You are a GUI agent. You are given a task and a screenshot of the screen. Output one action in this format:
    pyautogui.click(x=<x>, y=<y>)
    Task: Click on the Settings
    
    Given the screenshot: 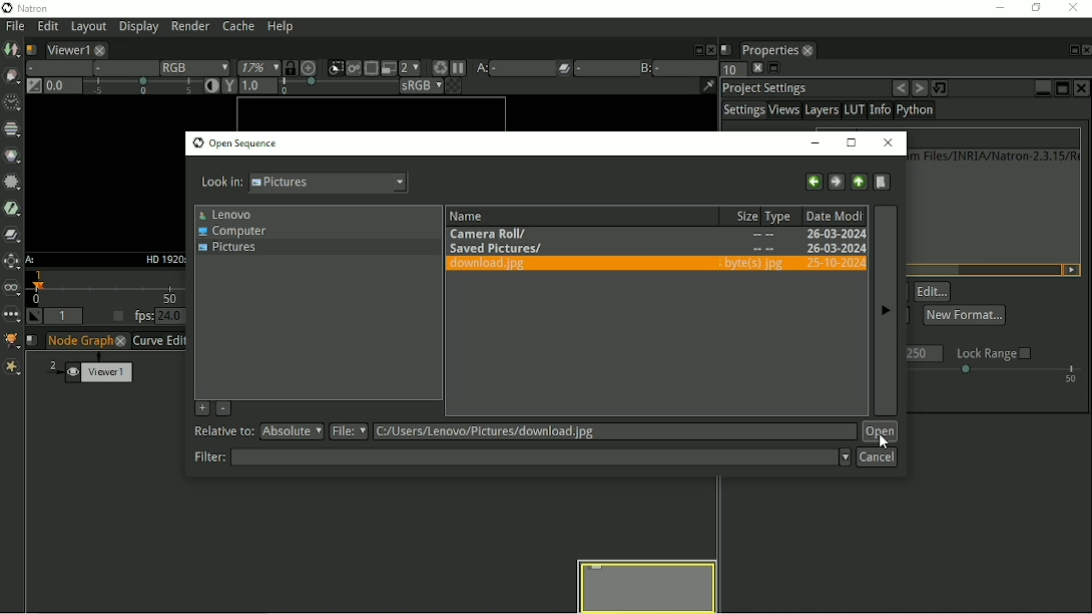 What is the action you would take?
    pyautogui.click(x=743, y=111)
    